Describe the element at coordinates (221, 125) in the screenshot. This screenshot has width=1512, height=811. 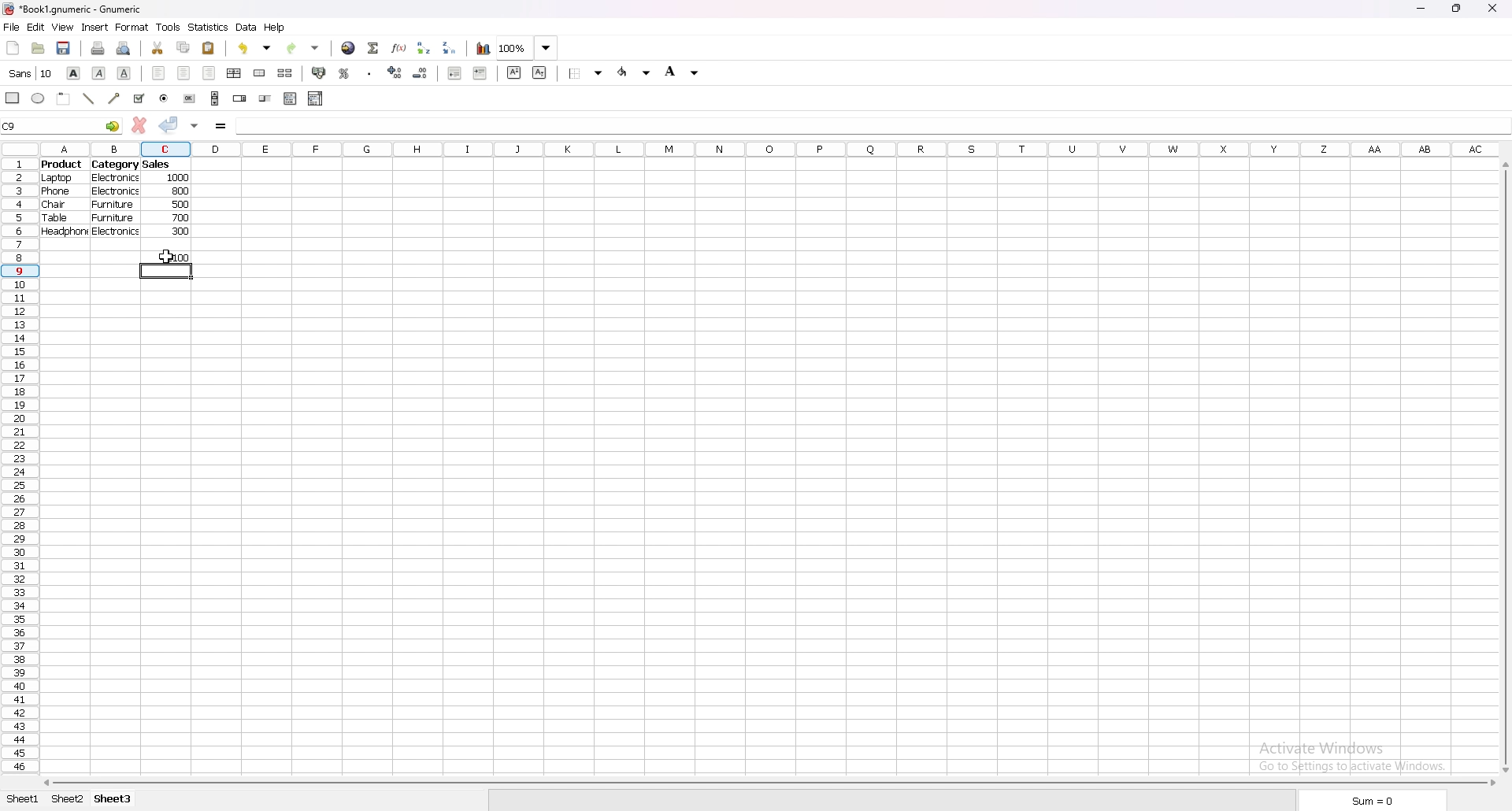
I see `formula` at that location.